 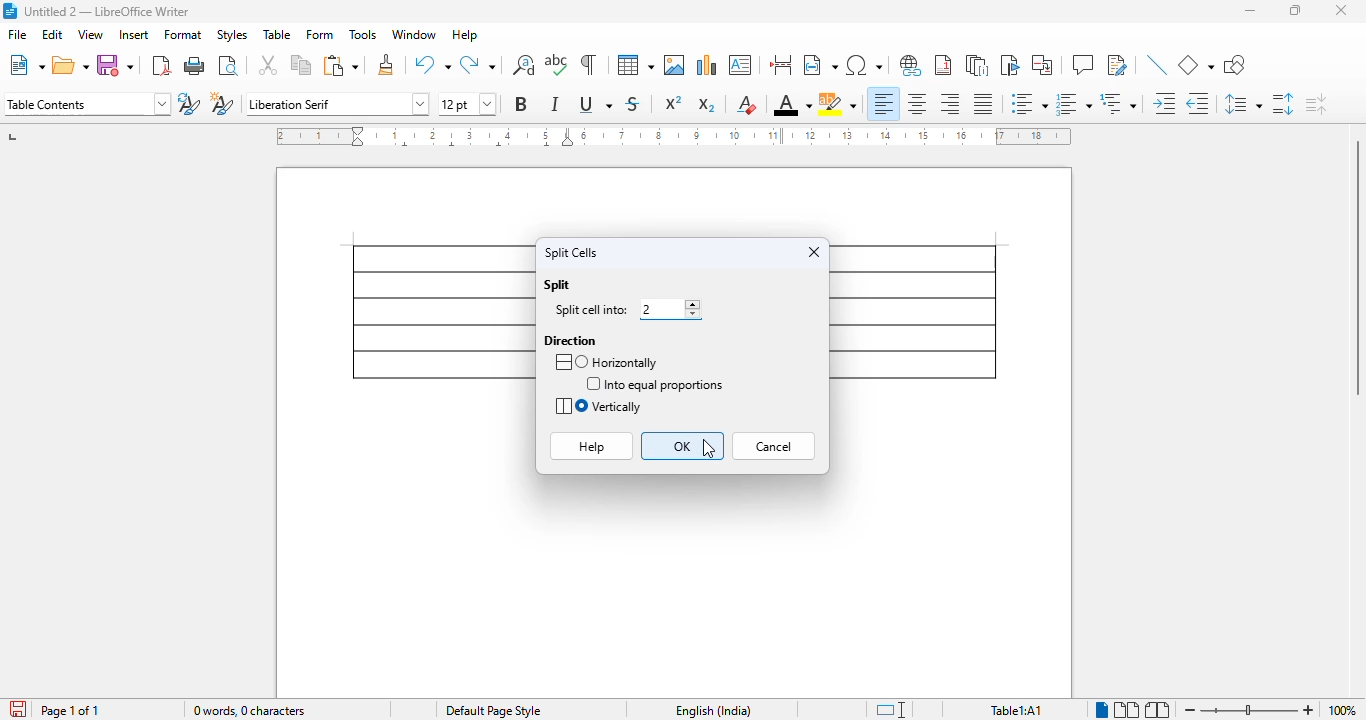 What do you see at coordinates (673, 136) in the screenshot?
I see `ruler` at bounding box center [673, 136].